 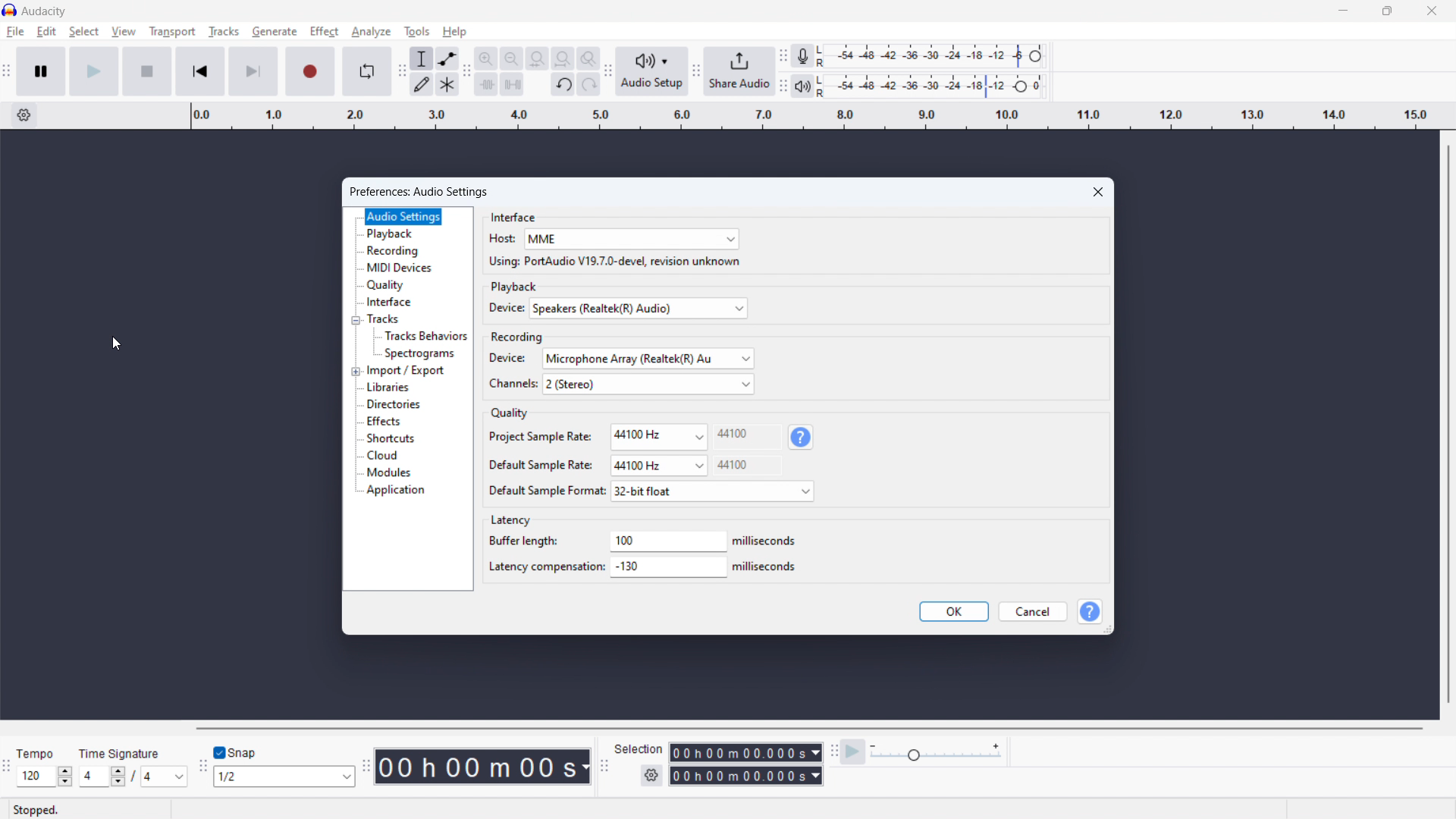 I want to click on playback meter toolbar, so click(x=783, y=86).